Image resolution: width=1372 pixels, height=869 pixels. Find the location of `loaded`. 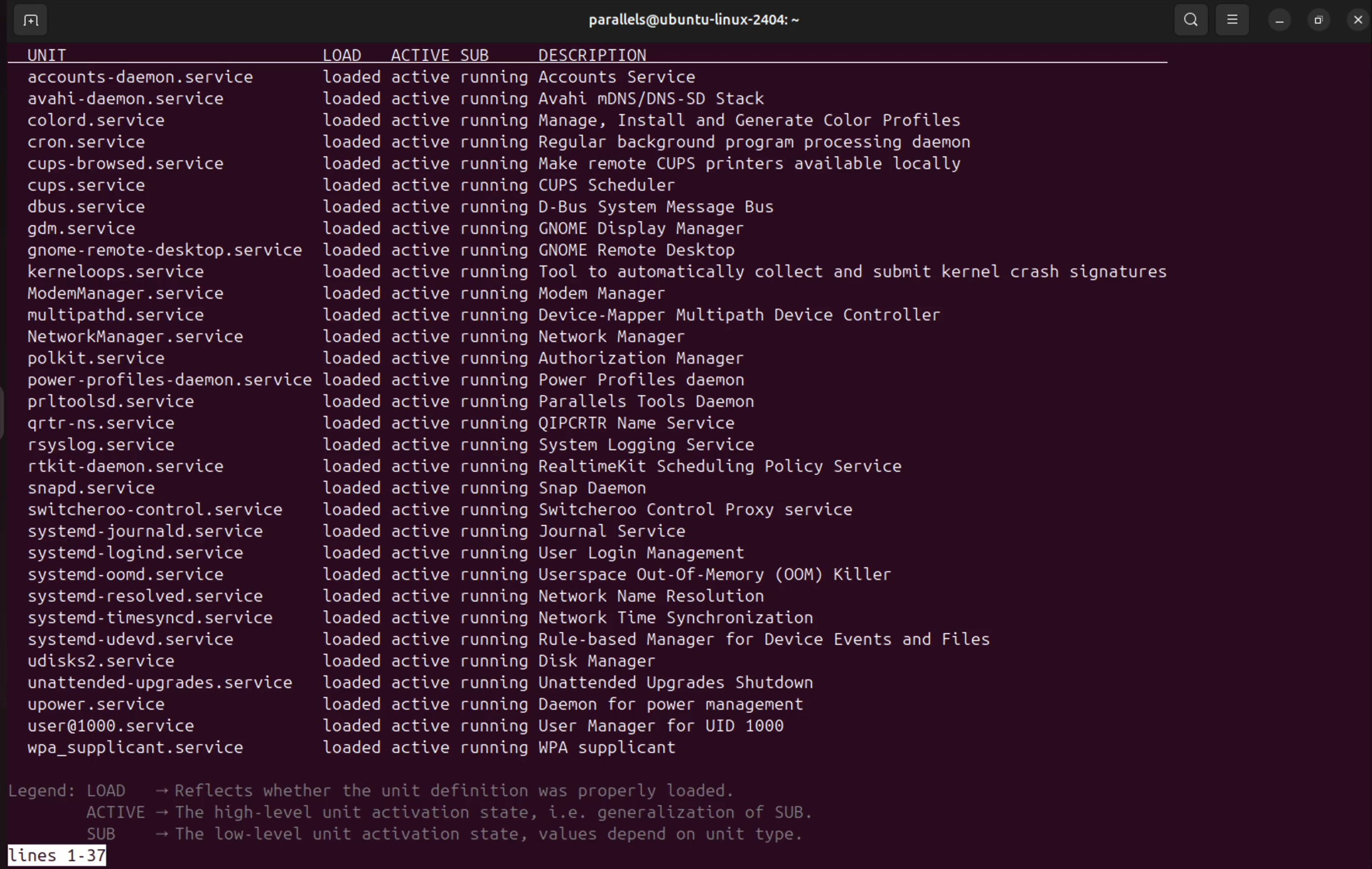

loaded is located at coordinates (352, 380).